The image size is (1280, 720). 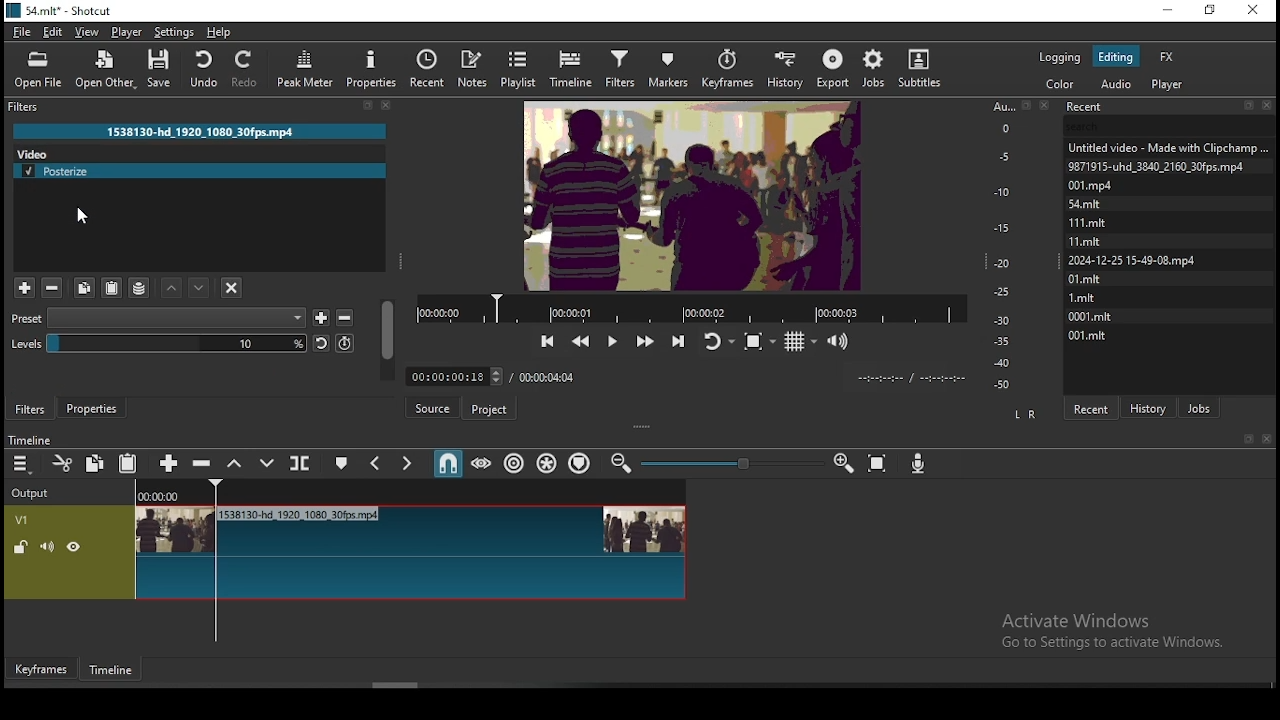 I want to click on logging, so click(x=1059, y=55).